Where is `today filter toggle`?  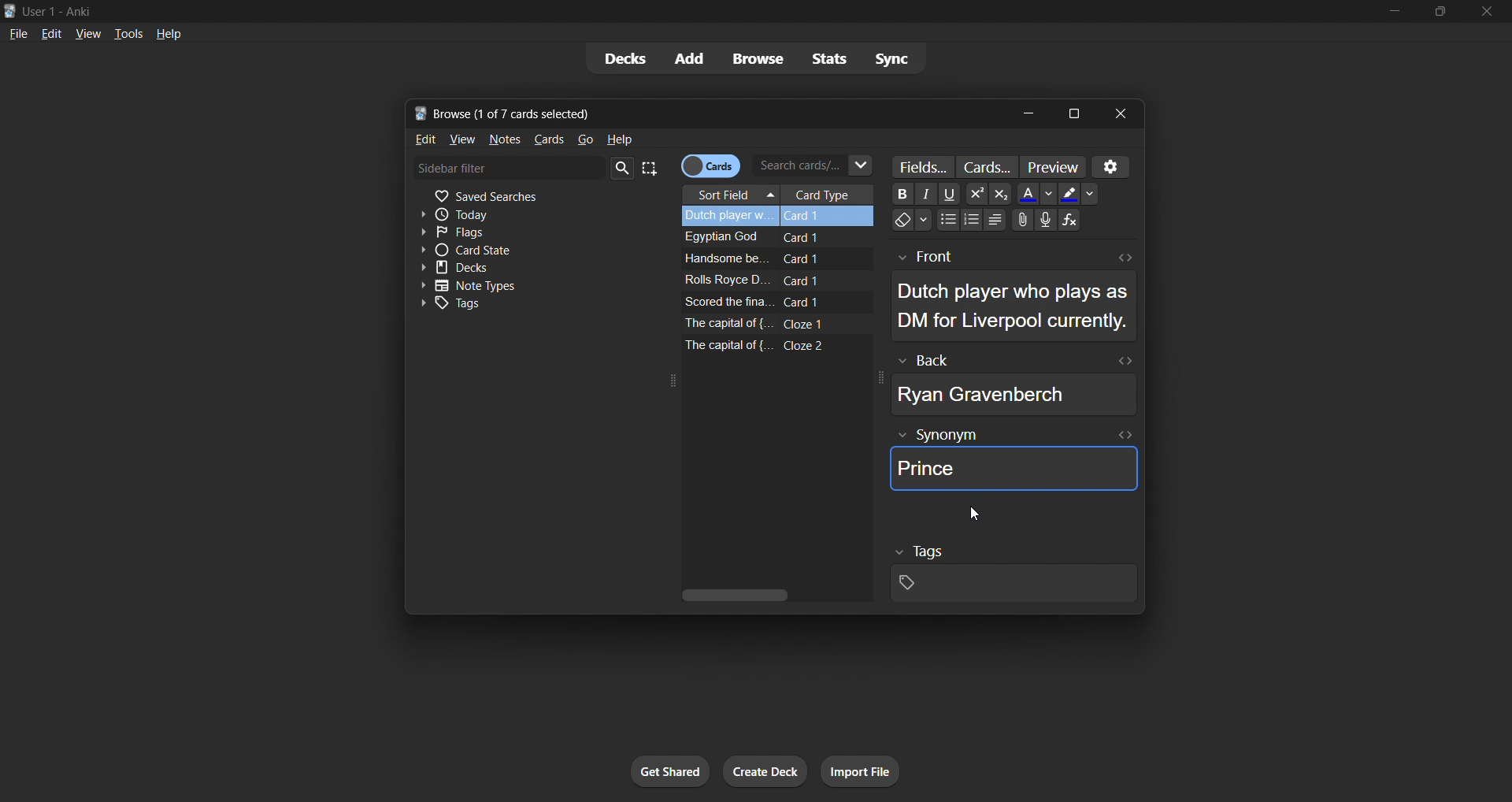
today filter toggle is located at coordinates (529, 213).